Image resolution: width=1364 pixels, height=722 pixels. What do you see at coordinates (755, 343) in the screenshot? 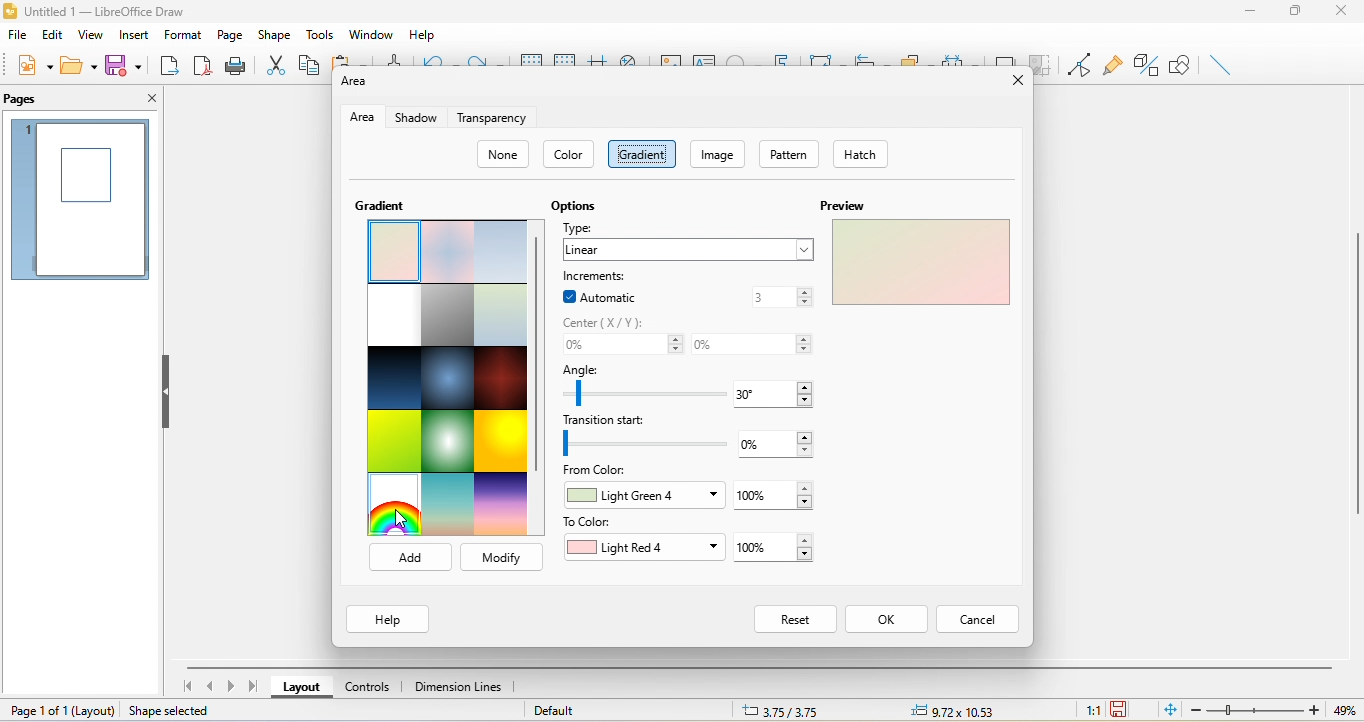
I see `0%` at bounding box center [755, 343].